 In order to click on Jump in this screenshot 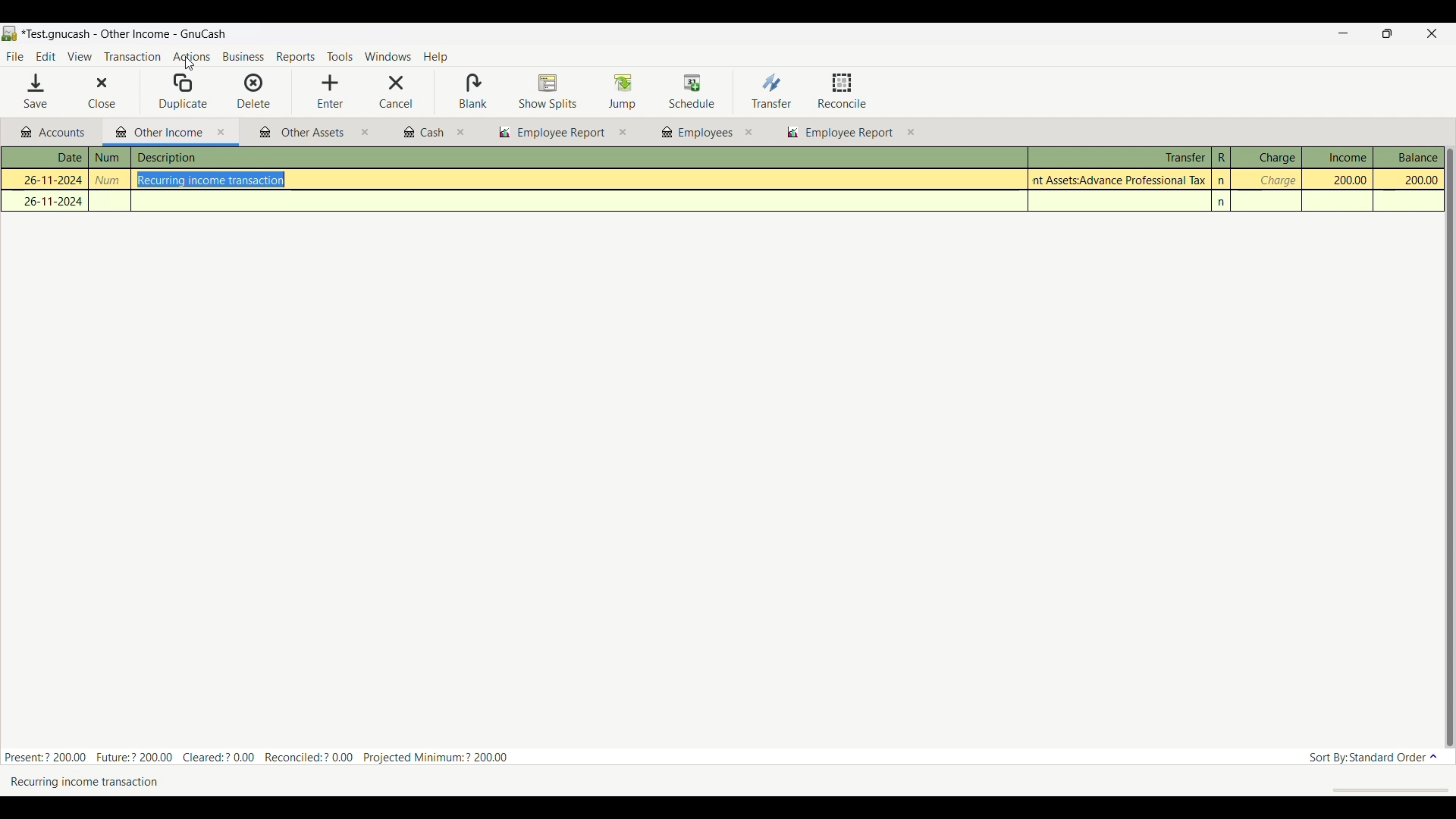, I will do `click(622, 91)`.